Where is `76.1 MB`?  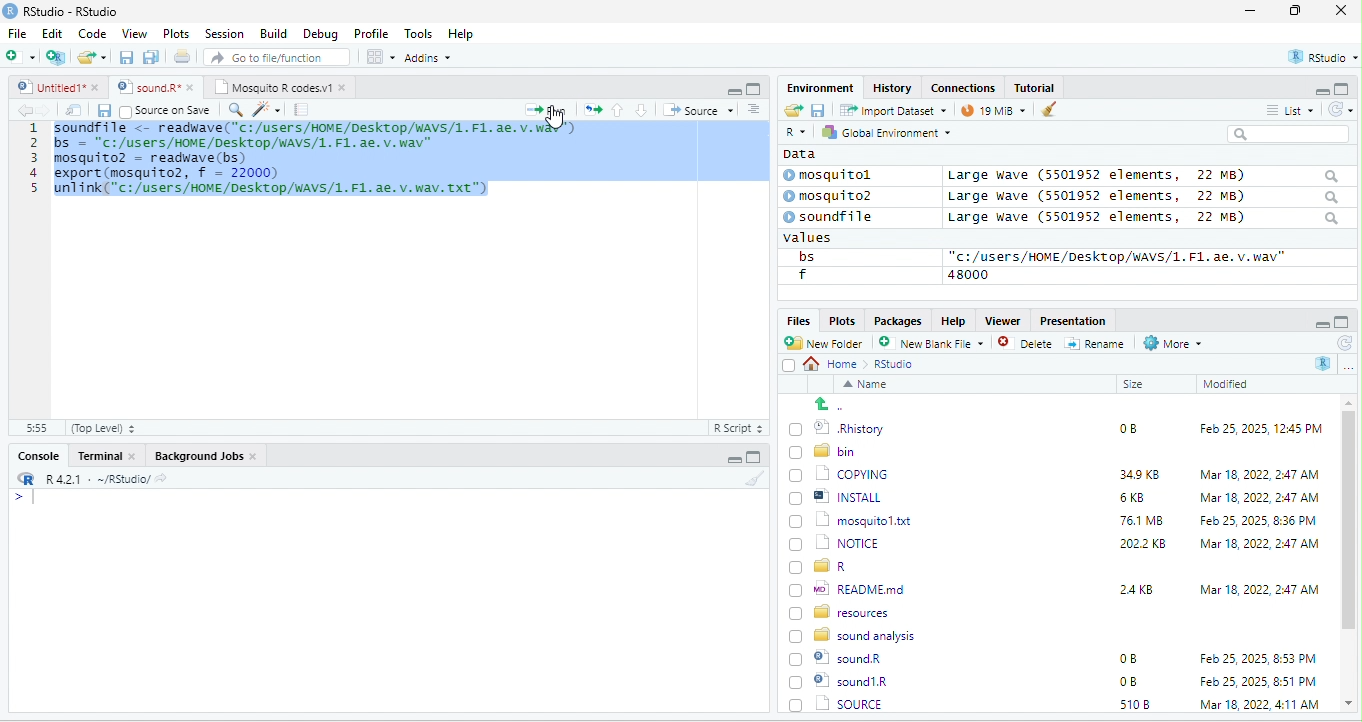 76.1 MB is located at coordinates (1141, 519).